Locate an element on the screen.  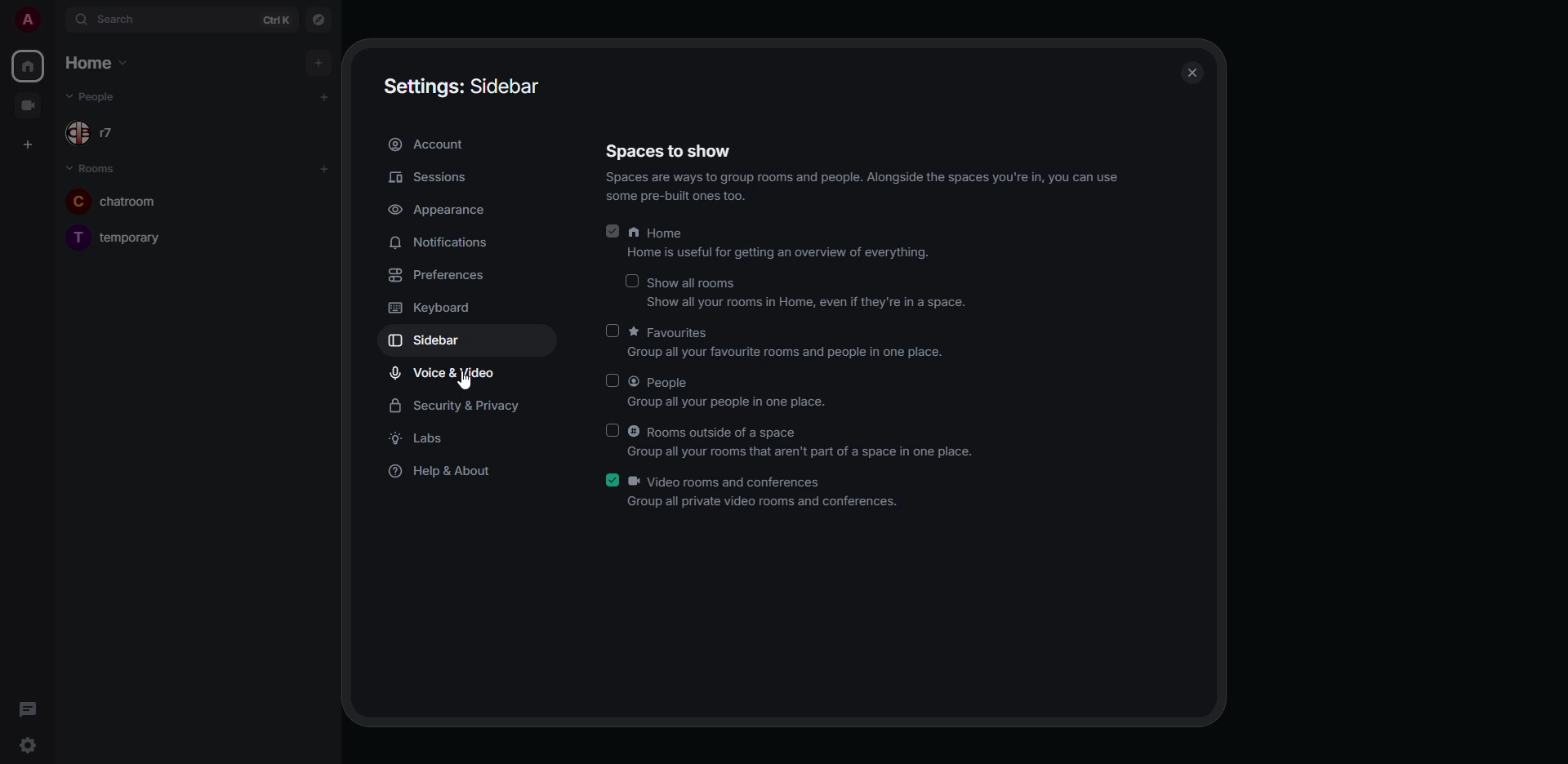
close is located at coordinates (1196, 71).